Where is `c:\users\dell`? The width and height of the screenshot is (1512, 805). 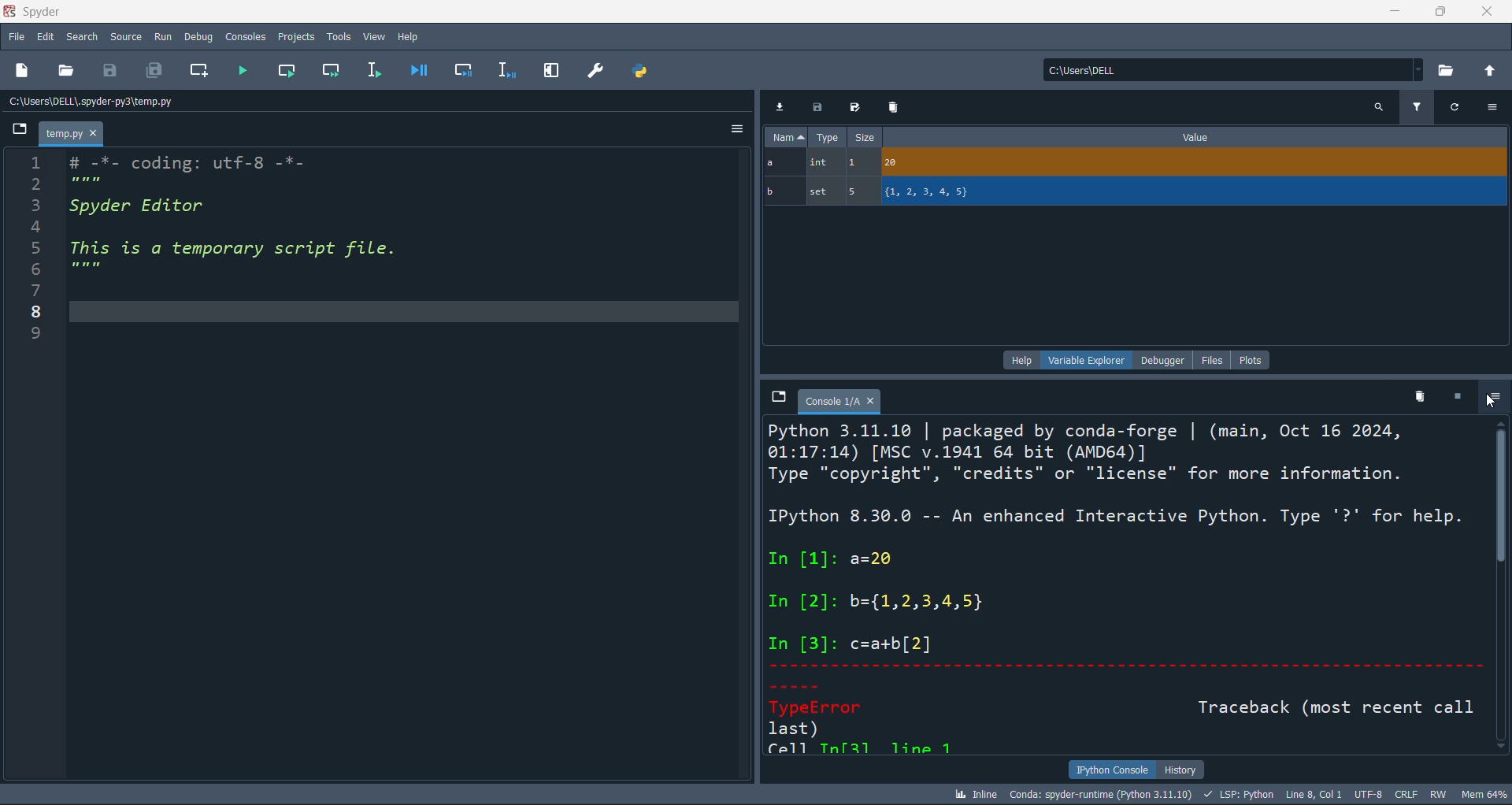 c:\users\dell is located at coordinates (1230, 68).